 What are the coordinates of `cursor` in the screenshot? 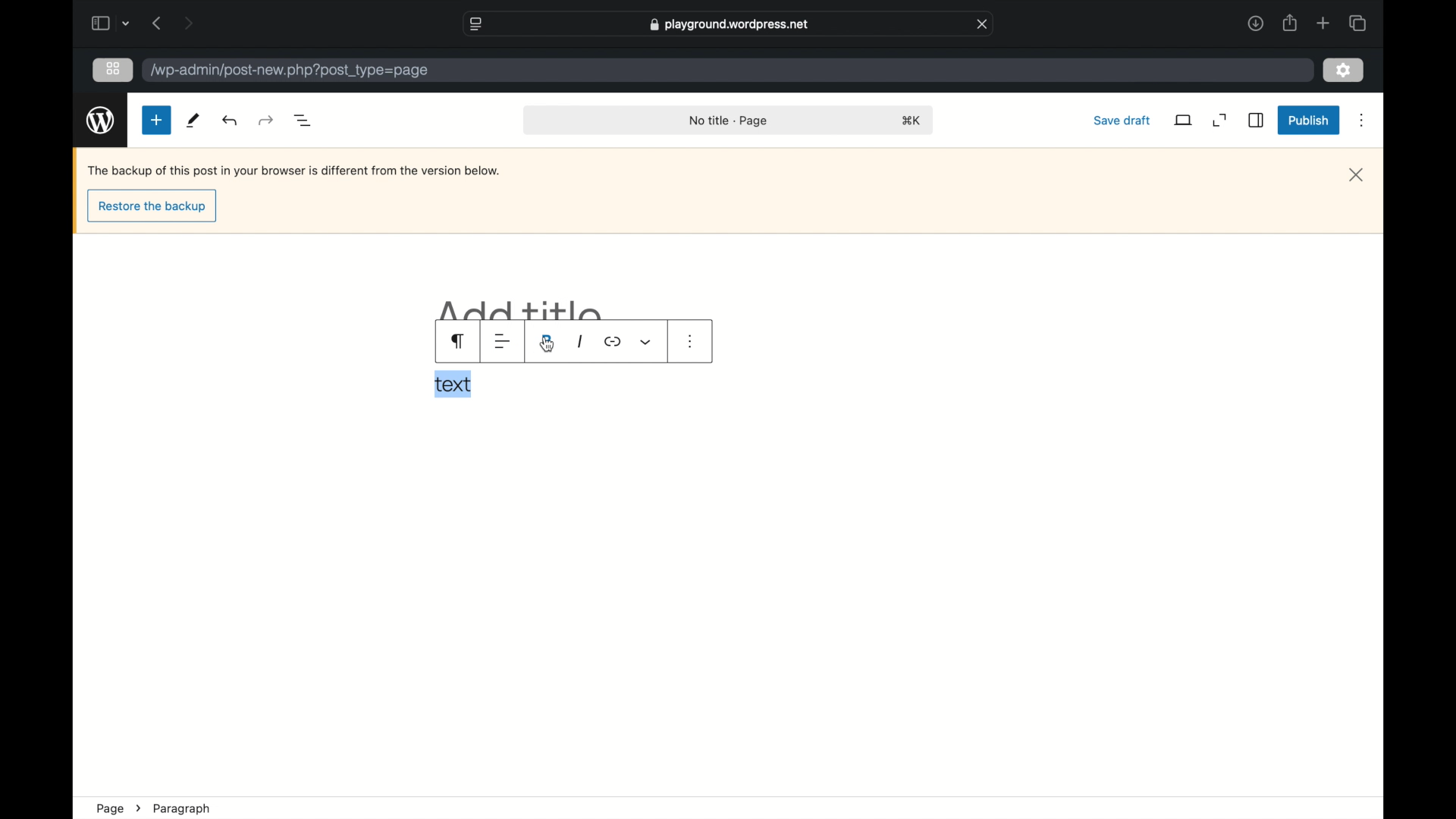 It's located at (548, 345).